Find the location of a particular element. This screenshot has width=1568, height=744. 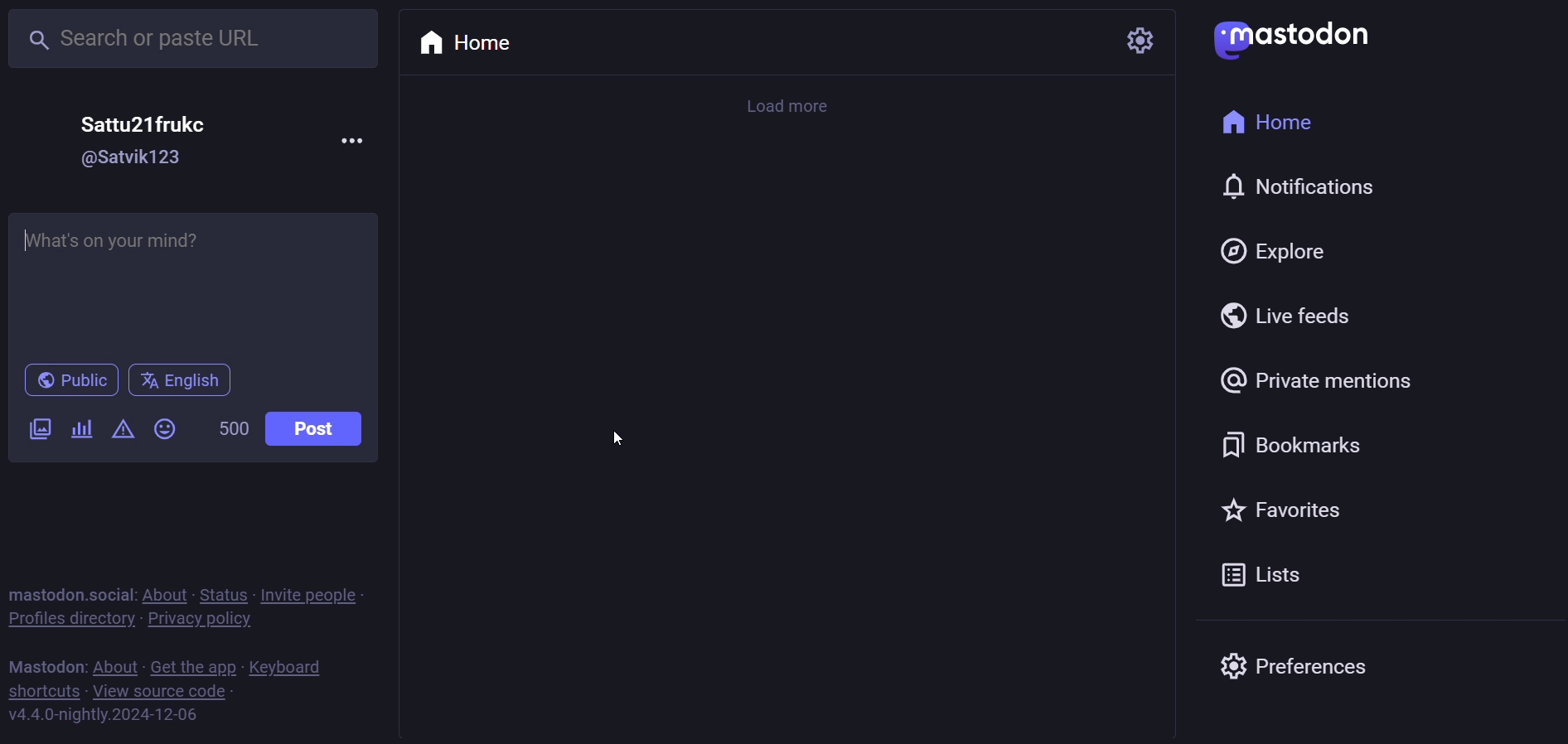

public is located at coordinates (70, 380).